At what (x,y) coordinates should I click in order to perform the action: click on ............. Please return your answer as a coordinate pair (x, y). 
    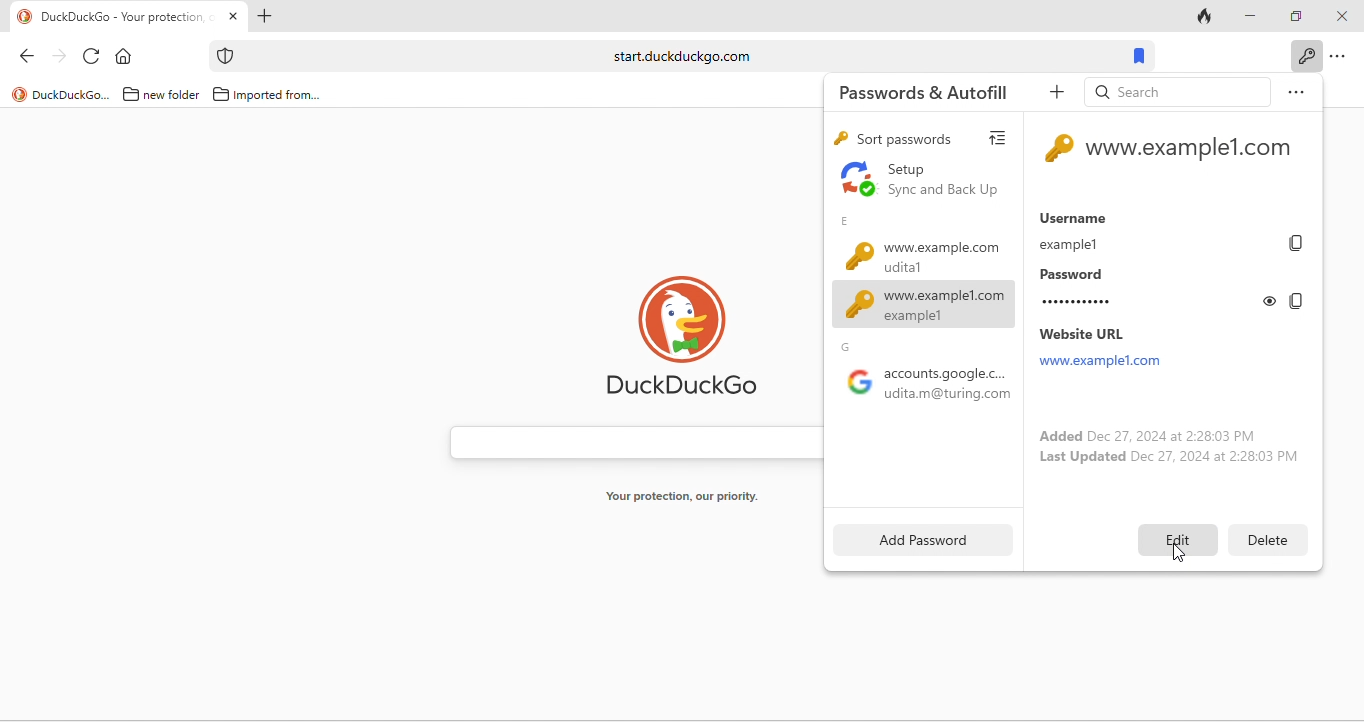
    Looking at the image, I should click on (1077, 302).